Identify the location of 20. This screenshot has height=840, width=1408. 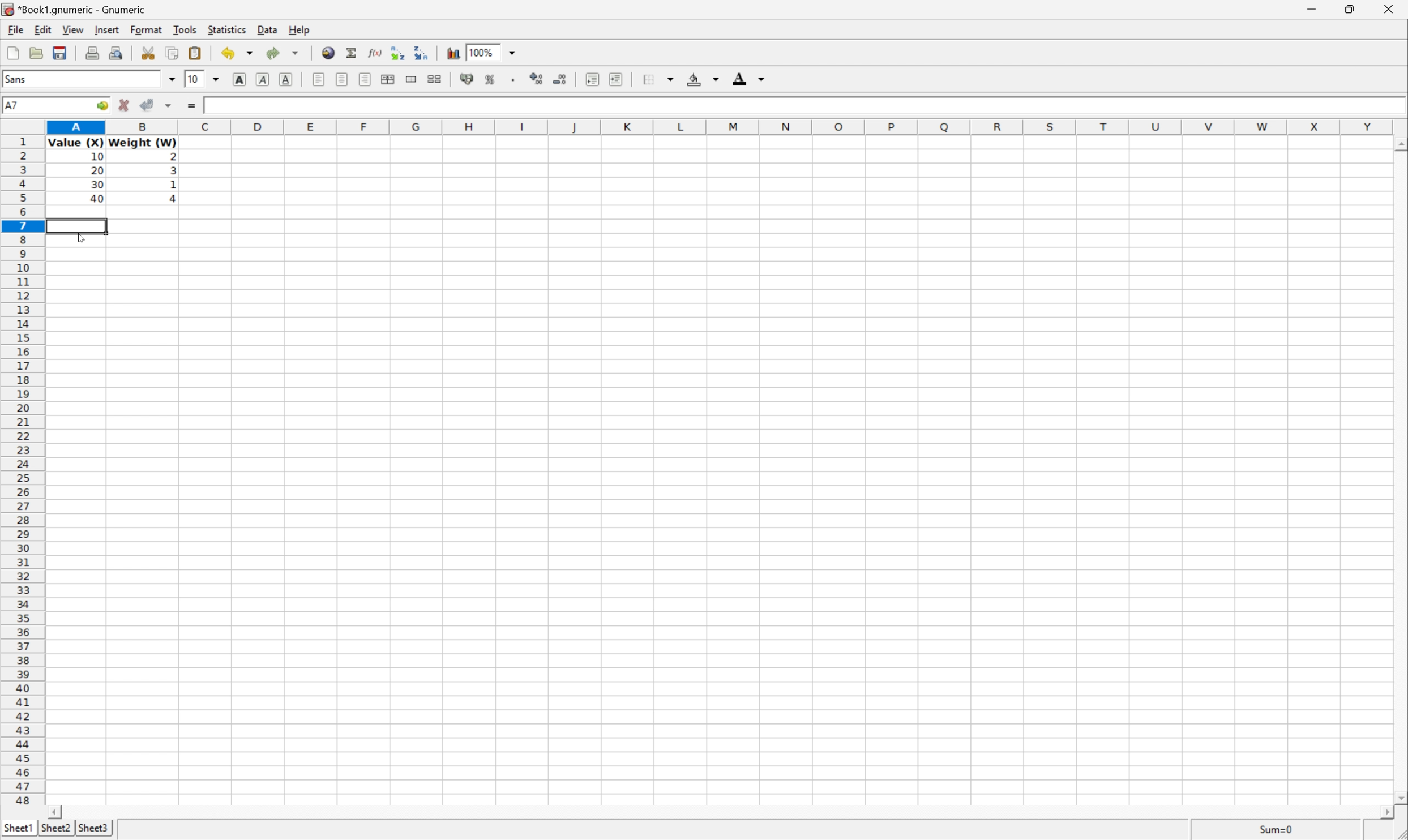
(98, 169).